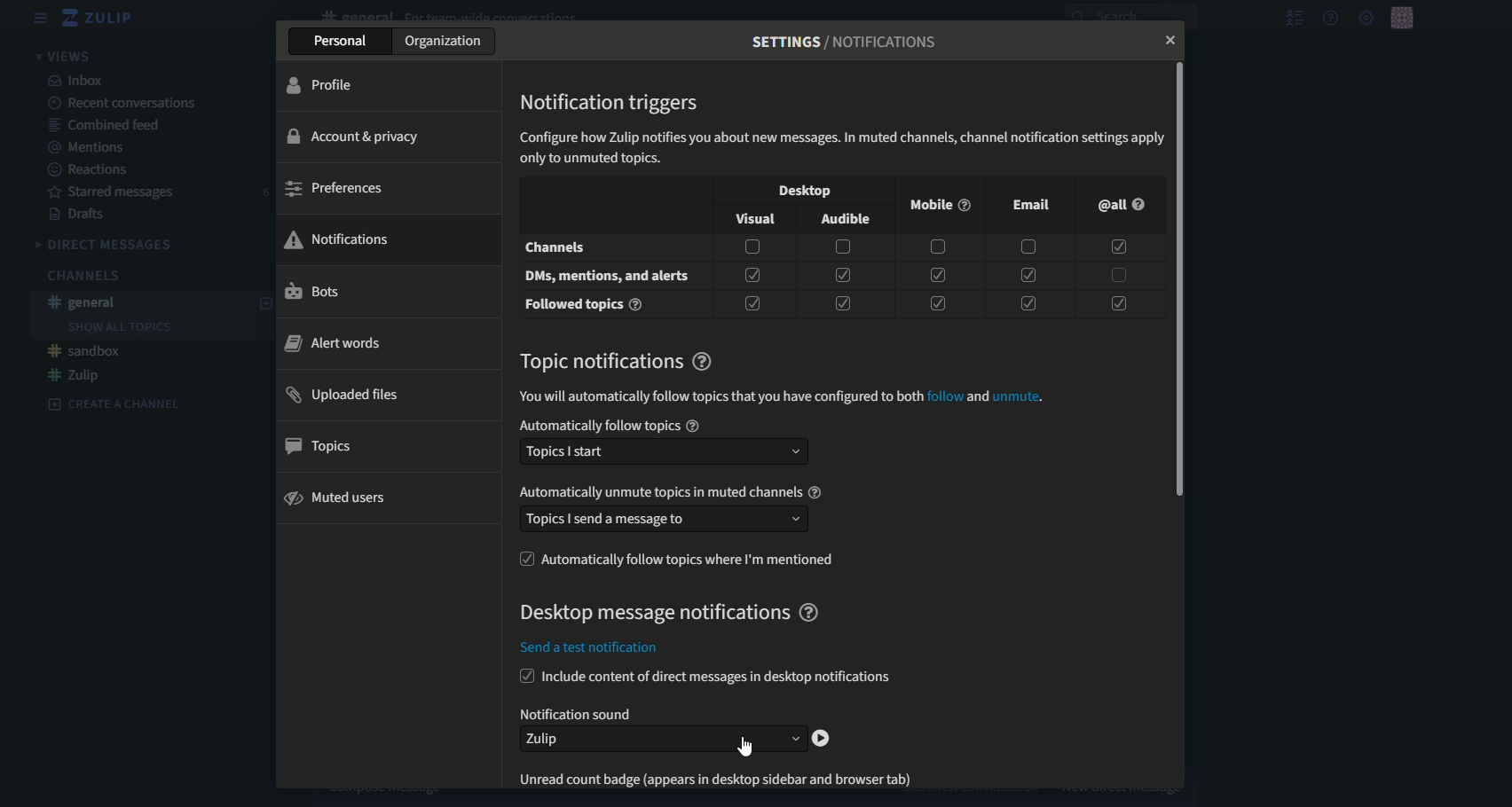 This screenshot has height=807, width=1512. I want to click on personal, so click(341, 43).